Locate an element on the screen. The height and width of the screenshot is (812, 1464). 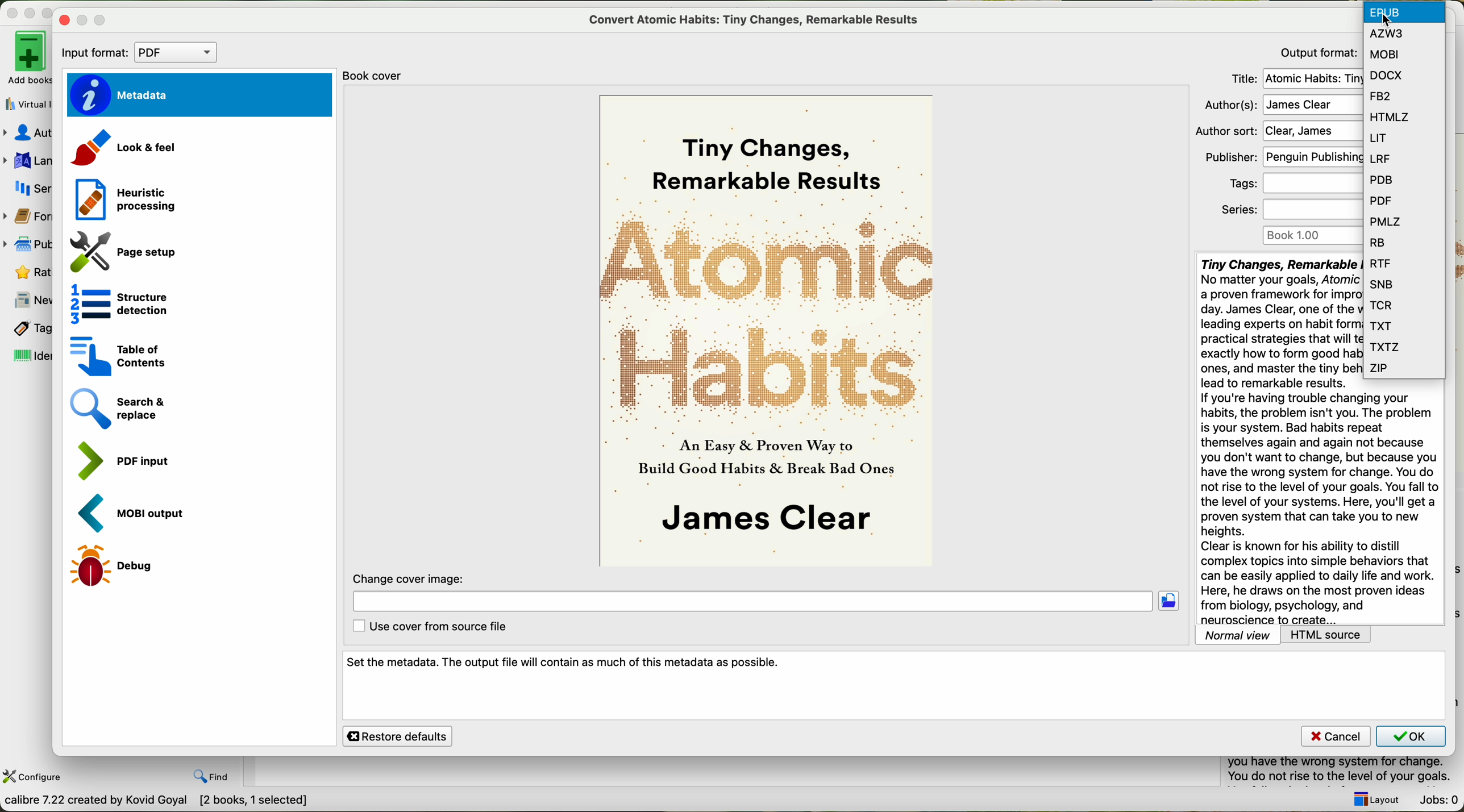
PDB is located at coordinates (1404, 179).